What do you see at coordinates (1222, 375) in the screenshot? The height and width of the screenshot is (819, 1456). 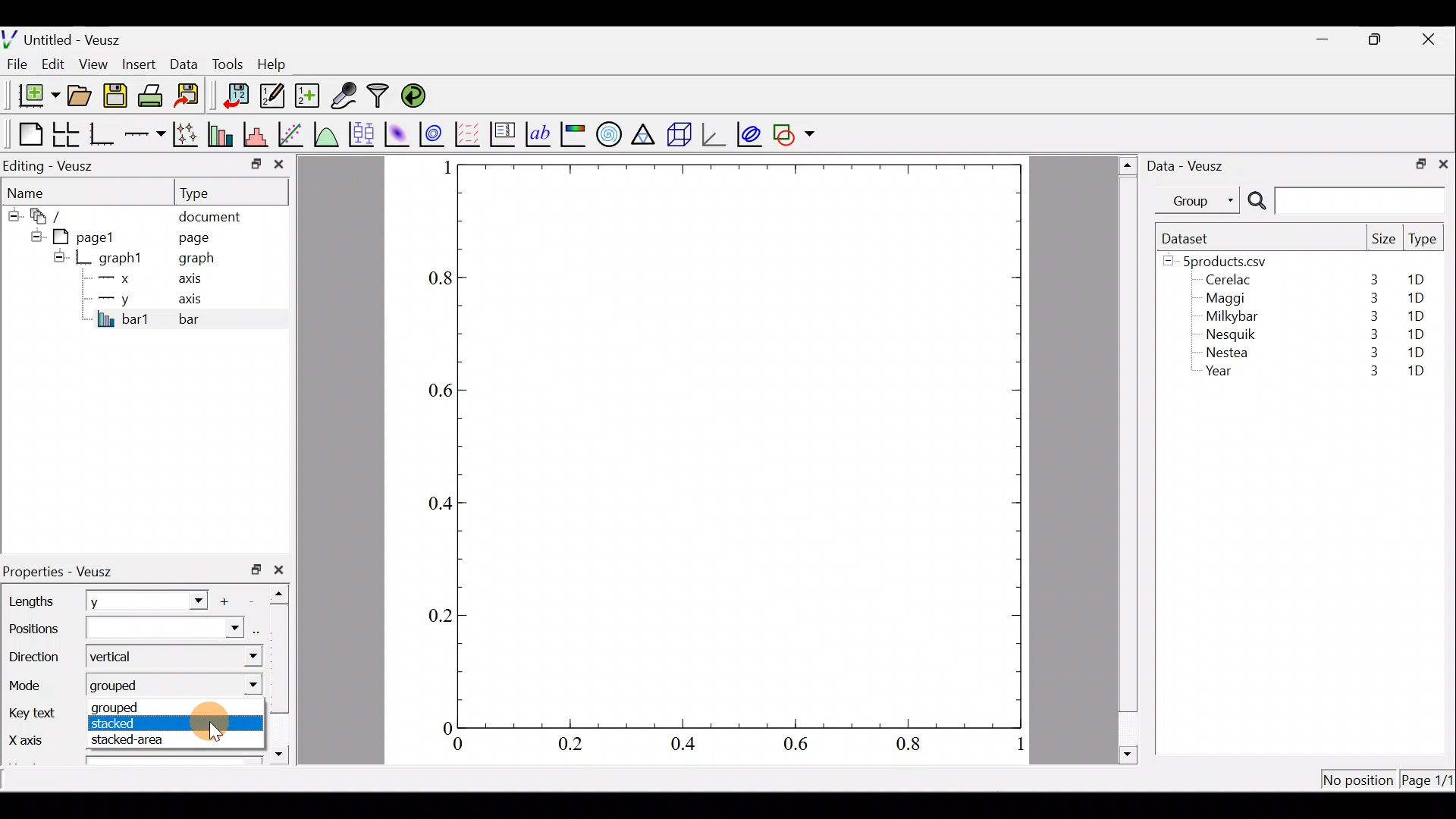 I see `Year` at bounding box center [1222, 375].